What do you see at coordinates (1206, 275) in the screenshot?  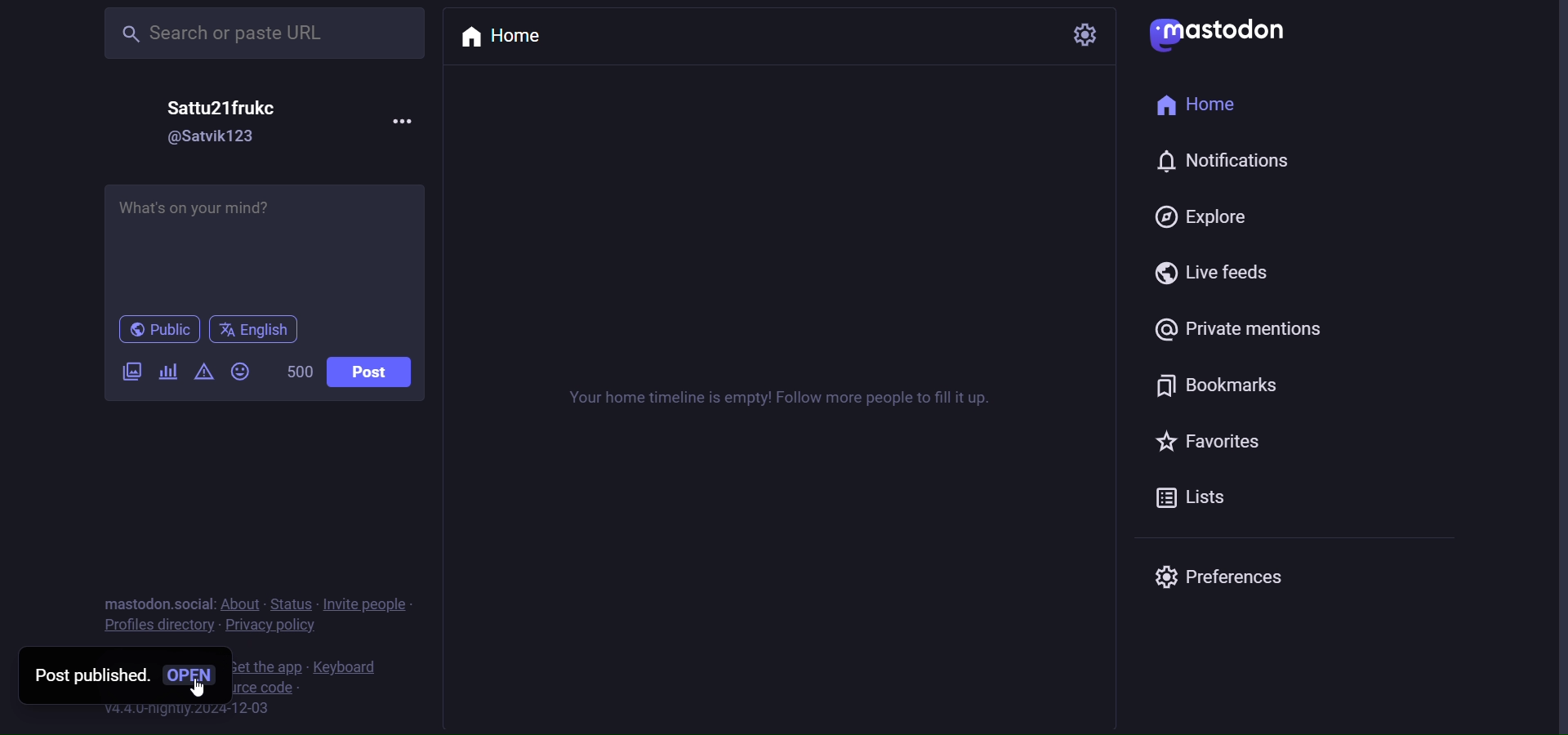 I see `live feed` at bounding box center [1206, 275].